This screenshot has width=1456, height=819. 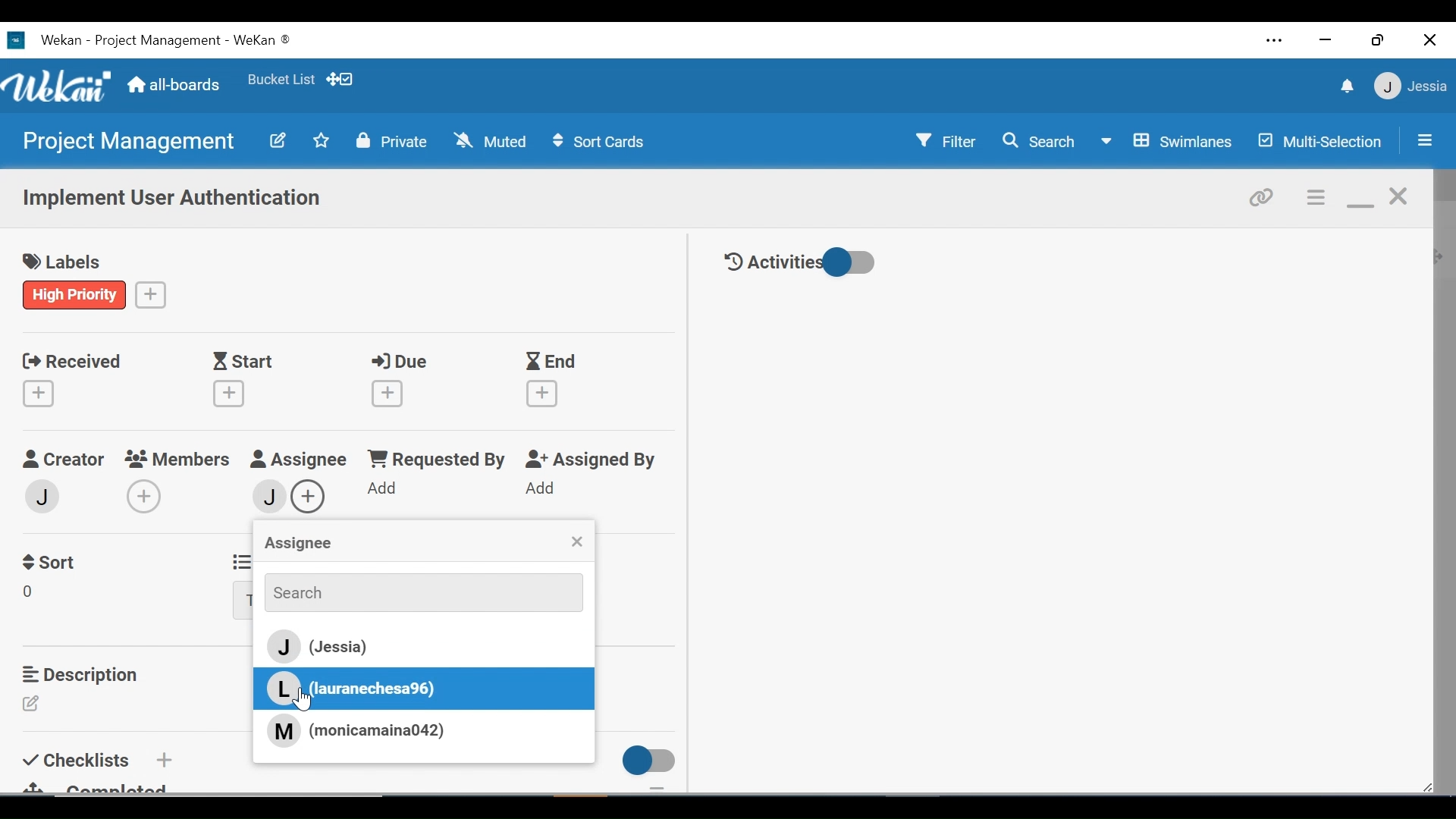 What do you see at coordinates (597, 142) in the screenshot?
I see `Sort Cards` at bounding box center [597, 142].